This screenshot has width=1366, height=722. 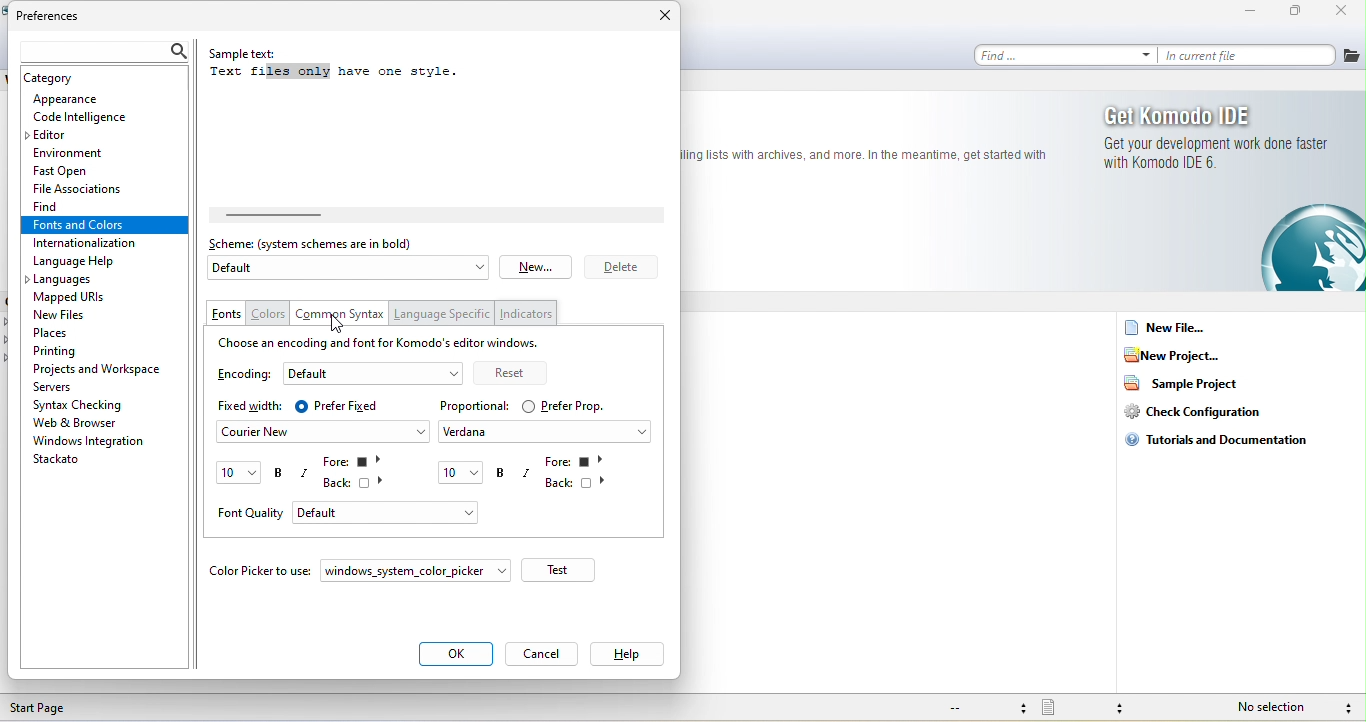 I want to click on place, so click(x=62, y=333).